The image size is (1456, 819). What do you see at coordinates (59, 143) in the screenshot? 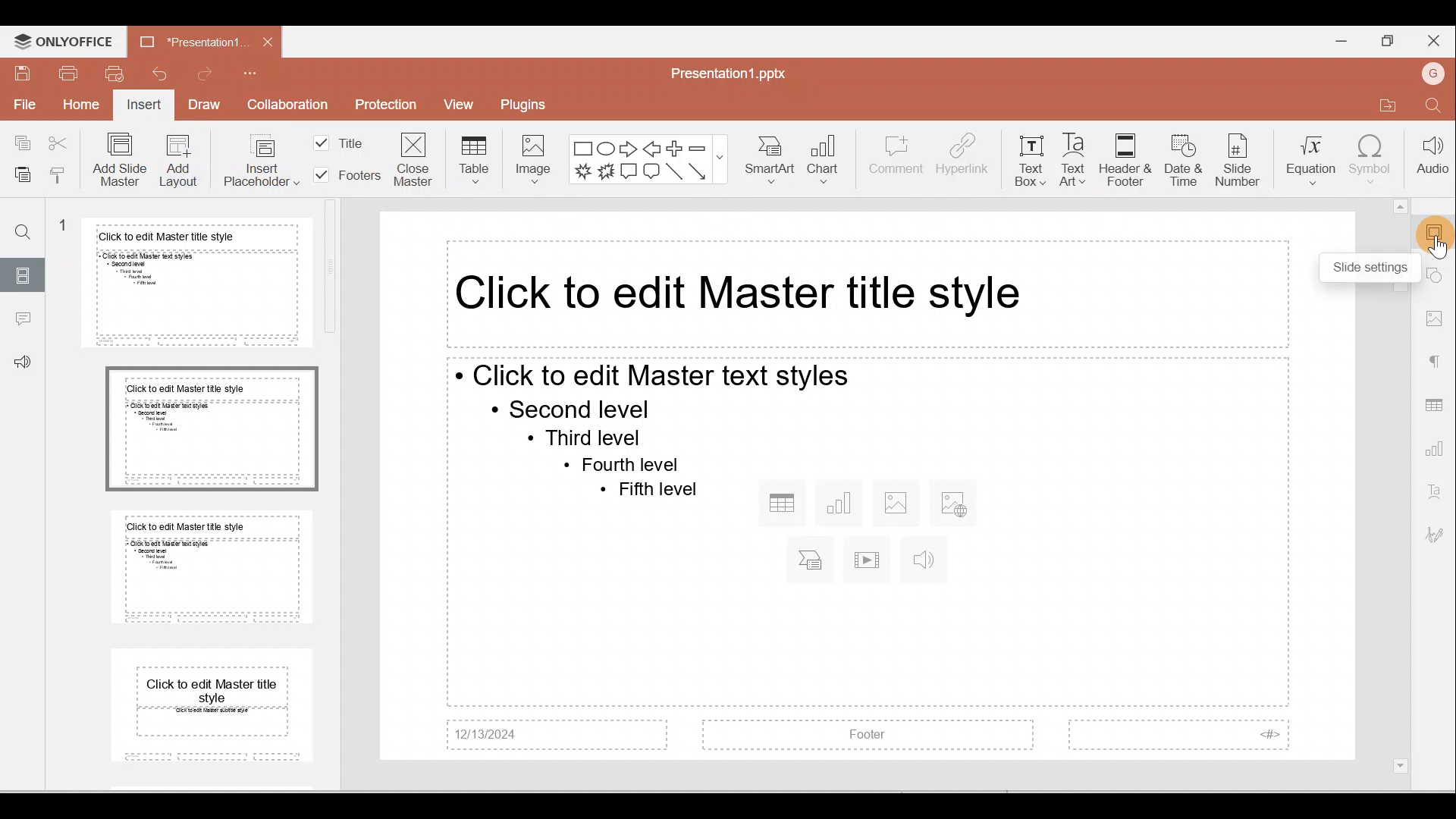
I see `Cut` at bounding box center [59, 143].